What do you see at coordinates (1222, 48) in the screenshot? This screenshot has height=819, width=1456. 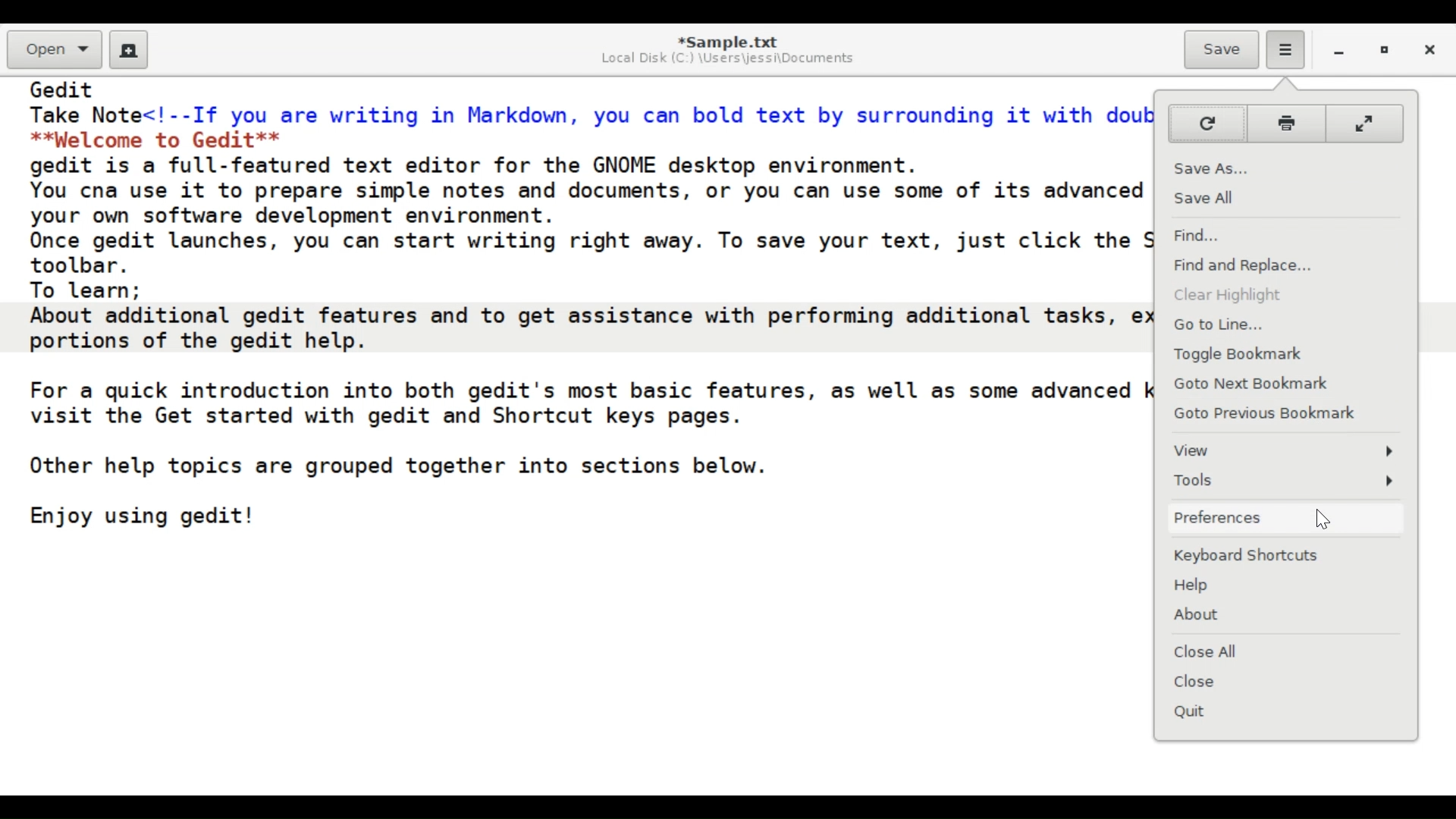 I see `Save` at bounding box center [1222, 48].